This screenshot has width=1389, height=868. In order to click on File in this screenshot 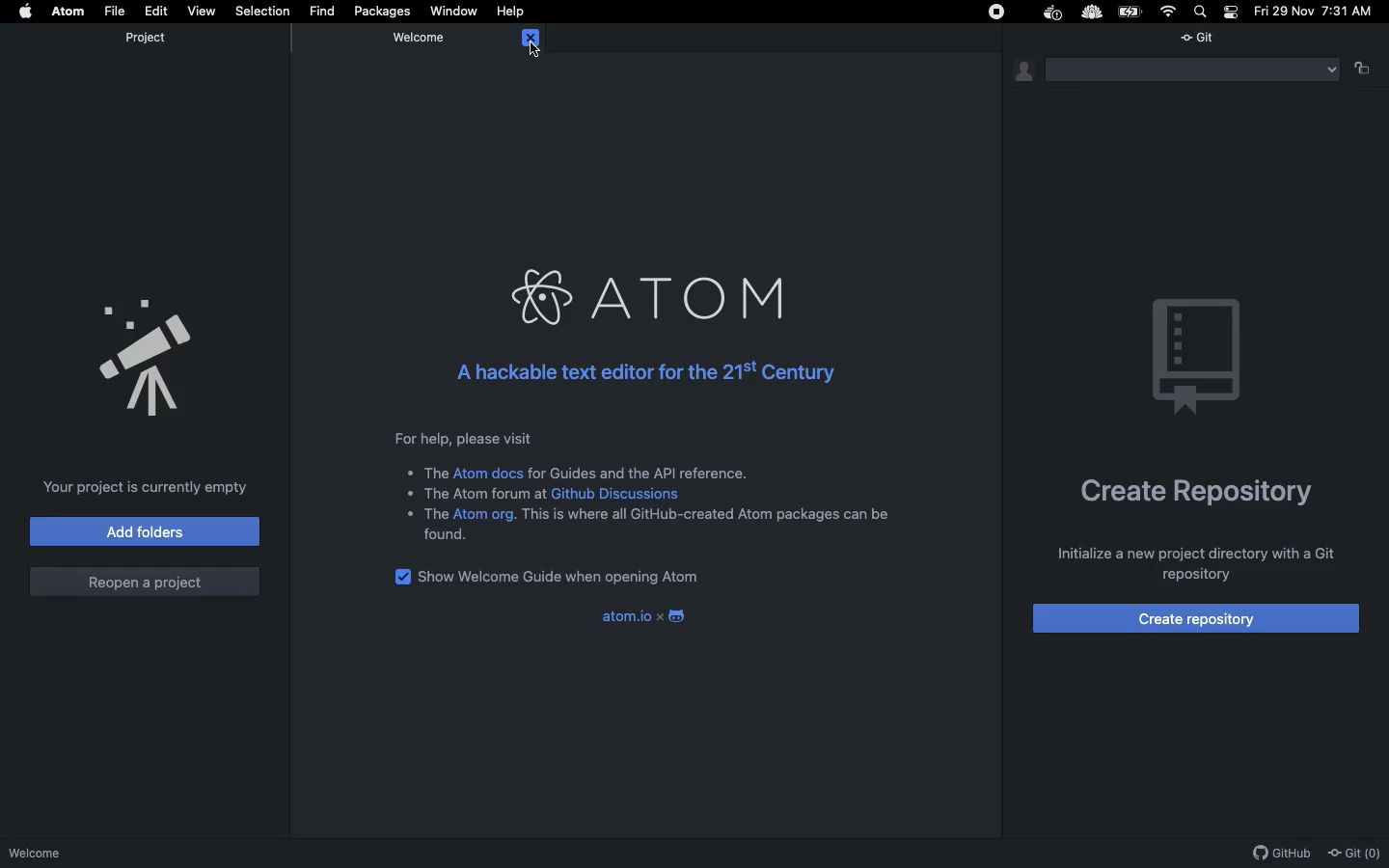, I will do `click(117, 12)`.